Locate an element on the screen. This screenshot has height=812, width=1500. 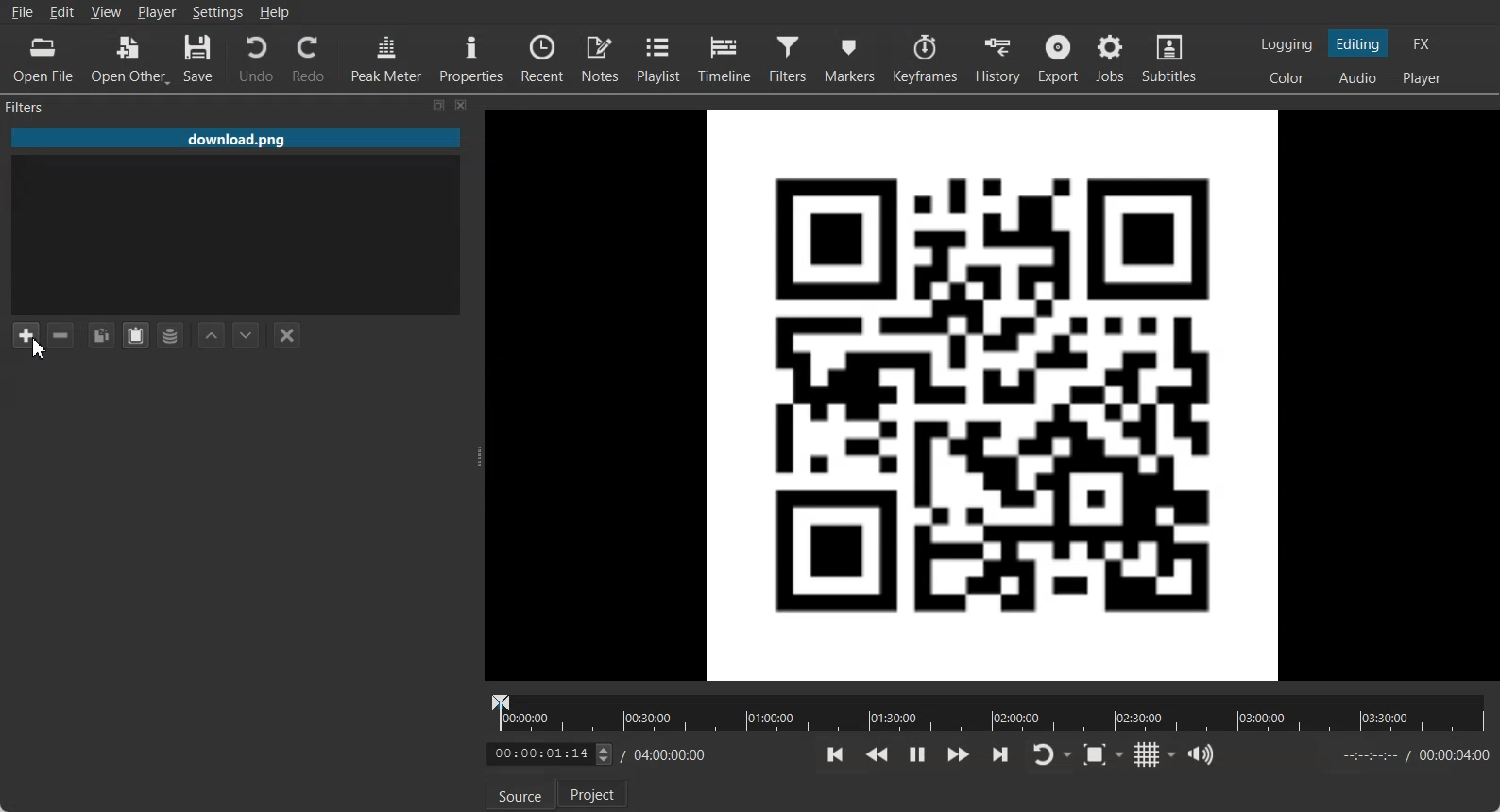
File is located at coordinates (22, 12).